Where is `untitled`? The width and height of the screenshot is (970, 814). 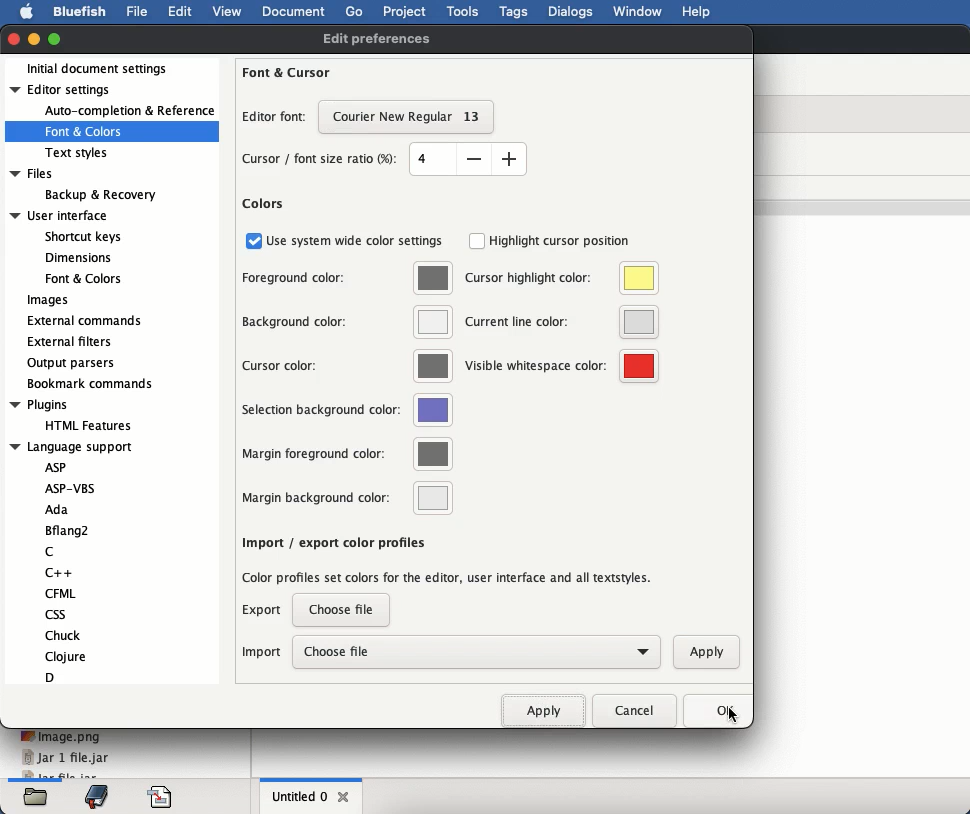
untitled is located at coordinates (299, 795).